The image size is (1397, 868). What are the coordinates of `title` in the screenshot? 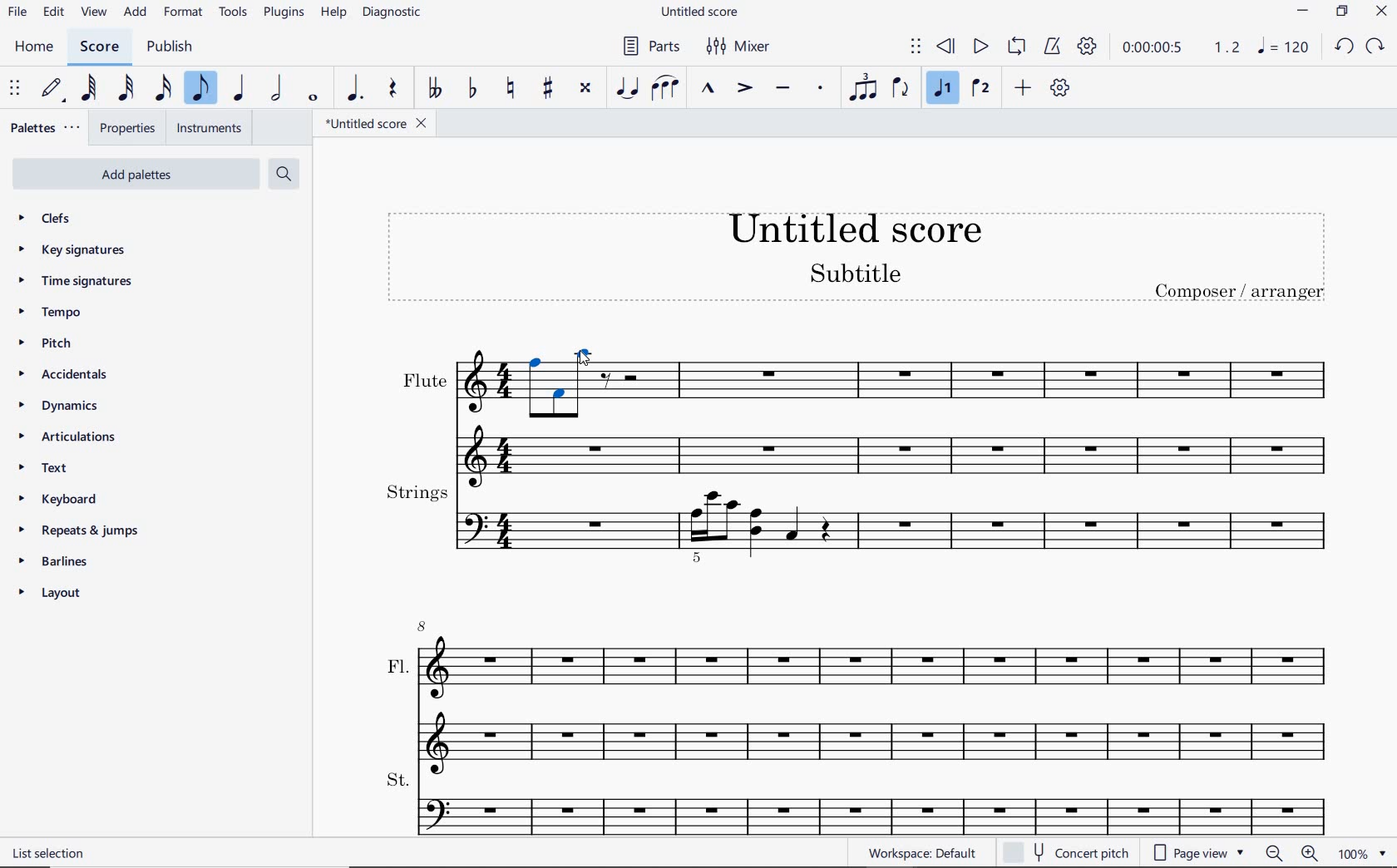 It's located at (861, 263).